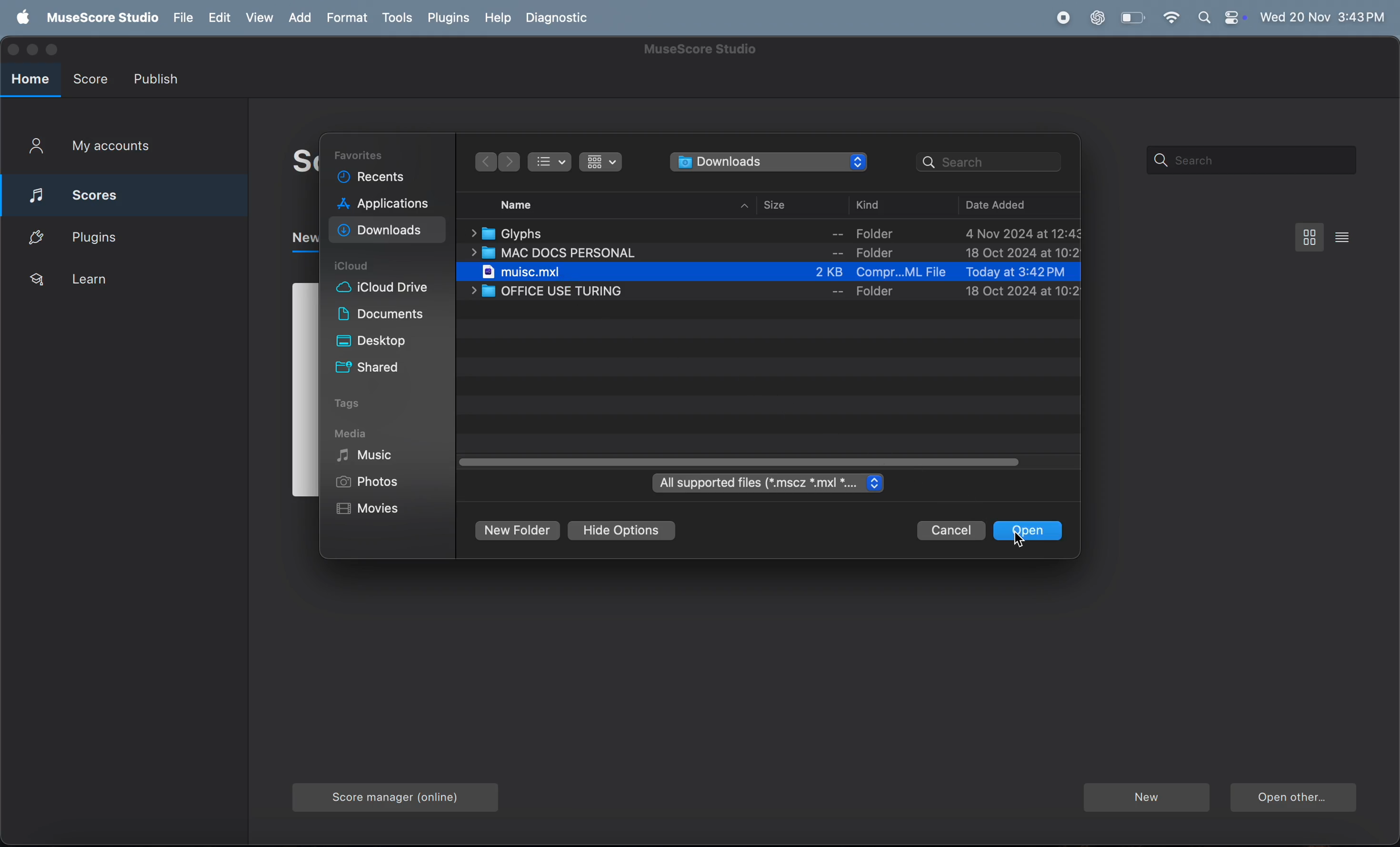 This screenshot has height=847, width=1400. Describe the element at coordinates (1002, 205) in the screenshot. I see `date added` at that location.